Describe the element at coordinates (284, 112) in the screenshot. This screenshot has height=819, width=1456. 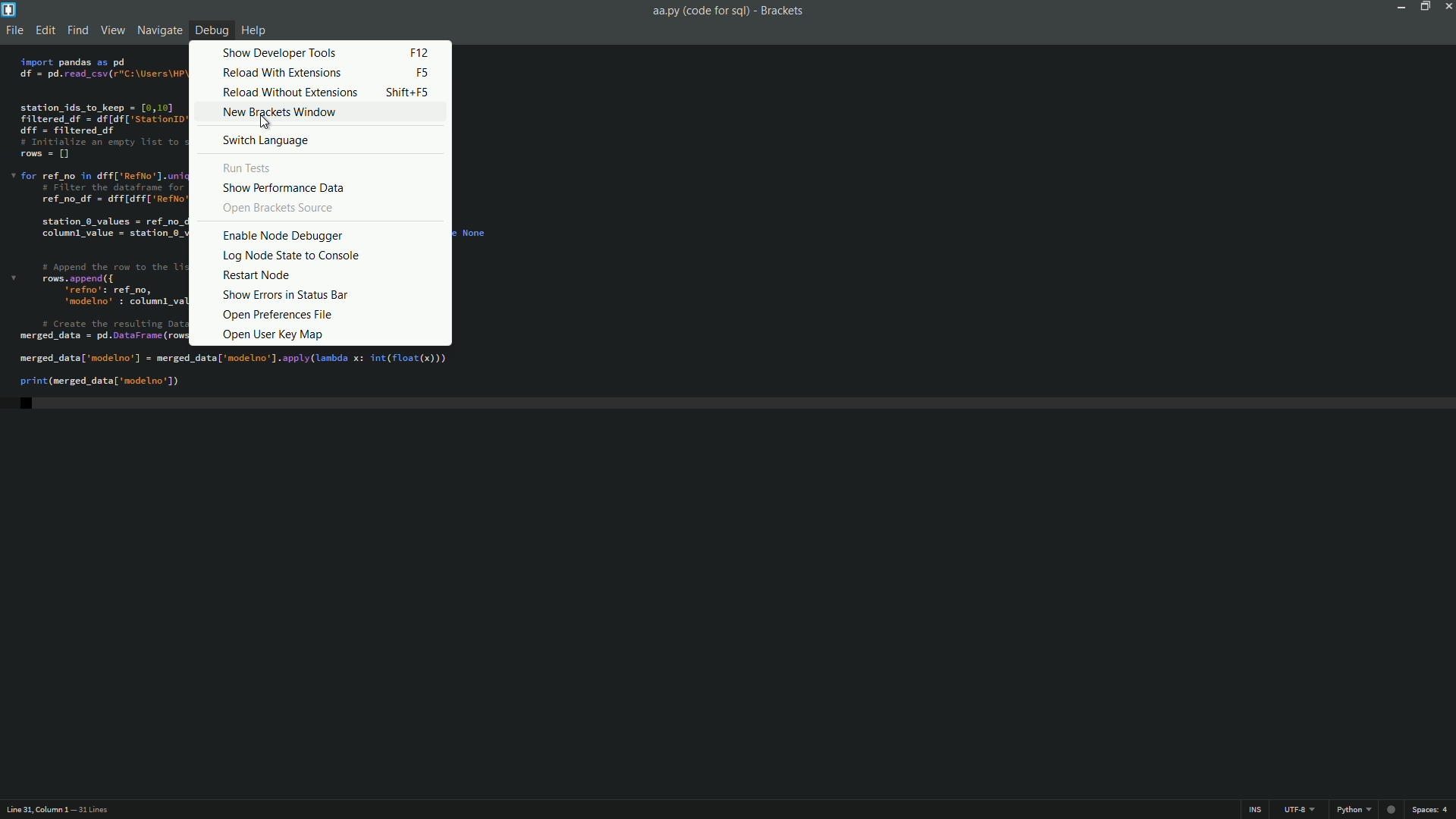
I see `New brackets window` at that location.